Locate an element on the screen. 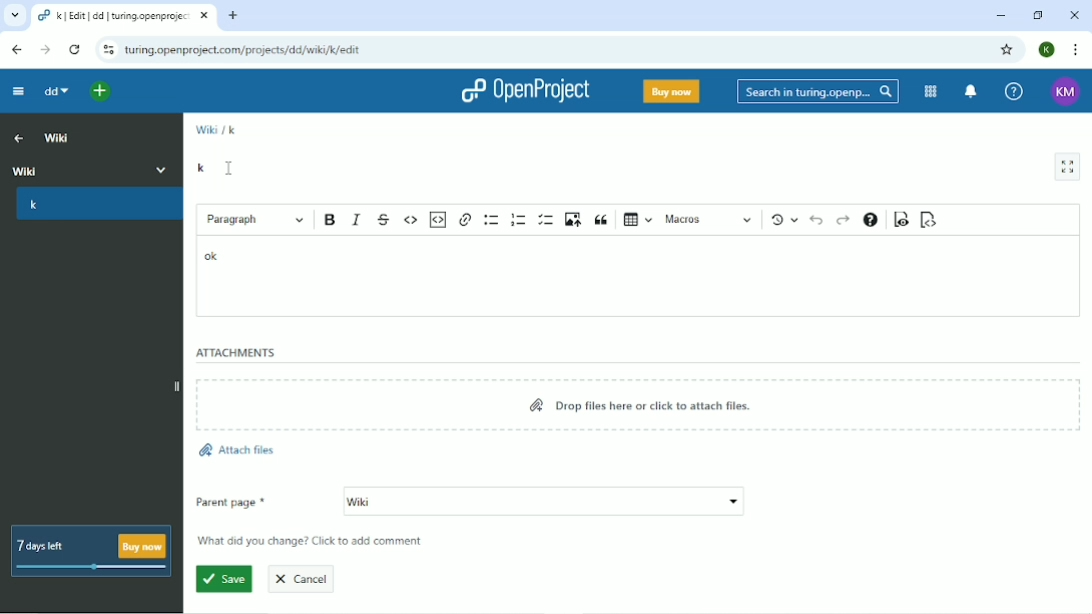  Forward is located at coordinates (45, 50).